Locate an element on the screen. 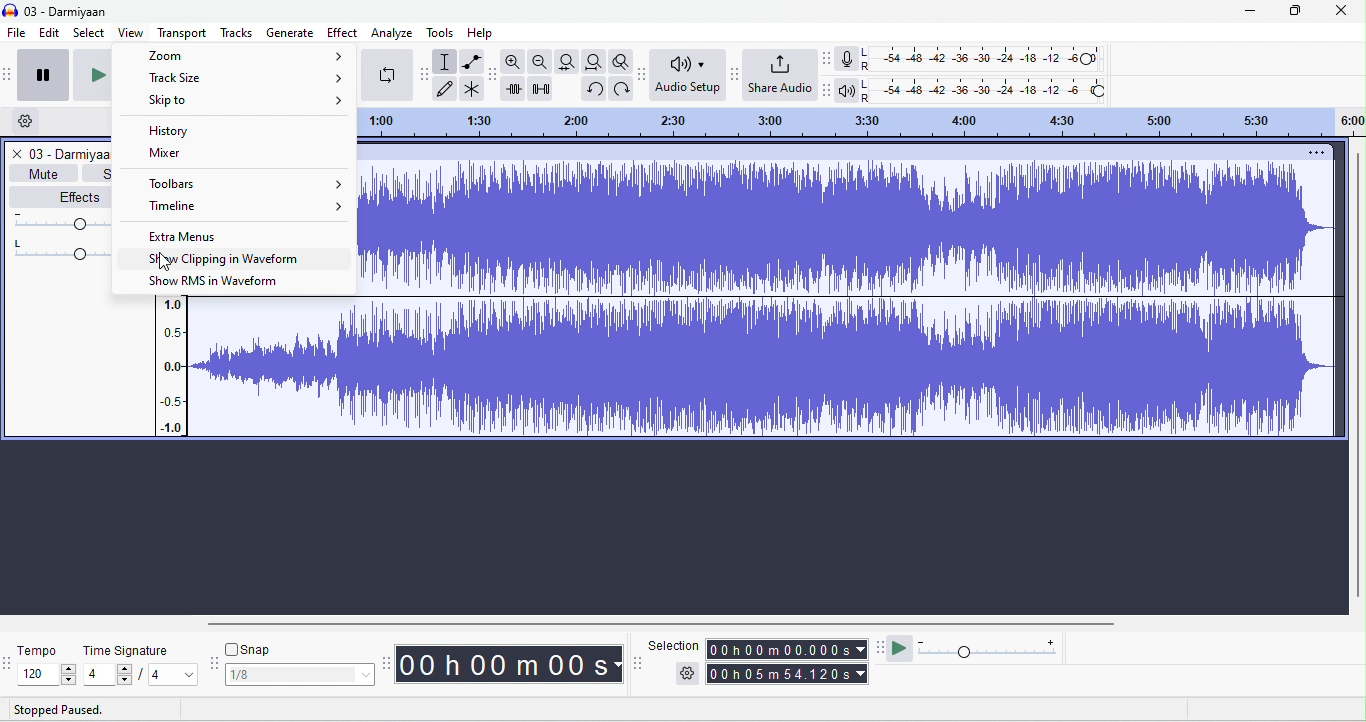 This screenshot has height=722, width=1366. draw is located at coordinates (447, 88).